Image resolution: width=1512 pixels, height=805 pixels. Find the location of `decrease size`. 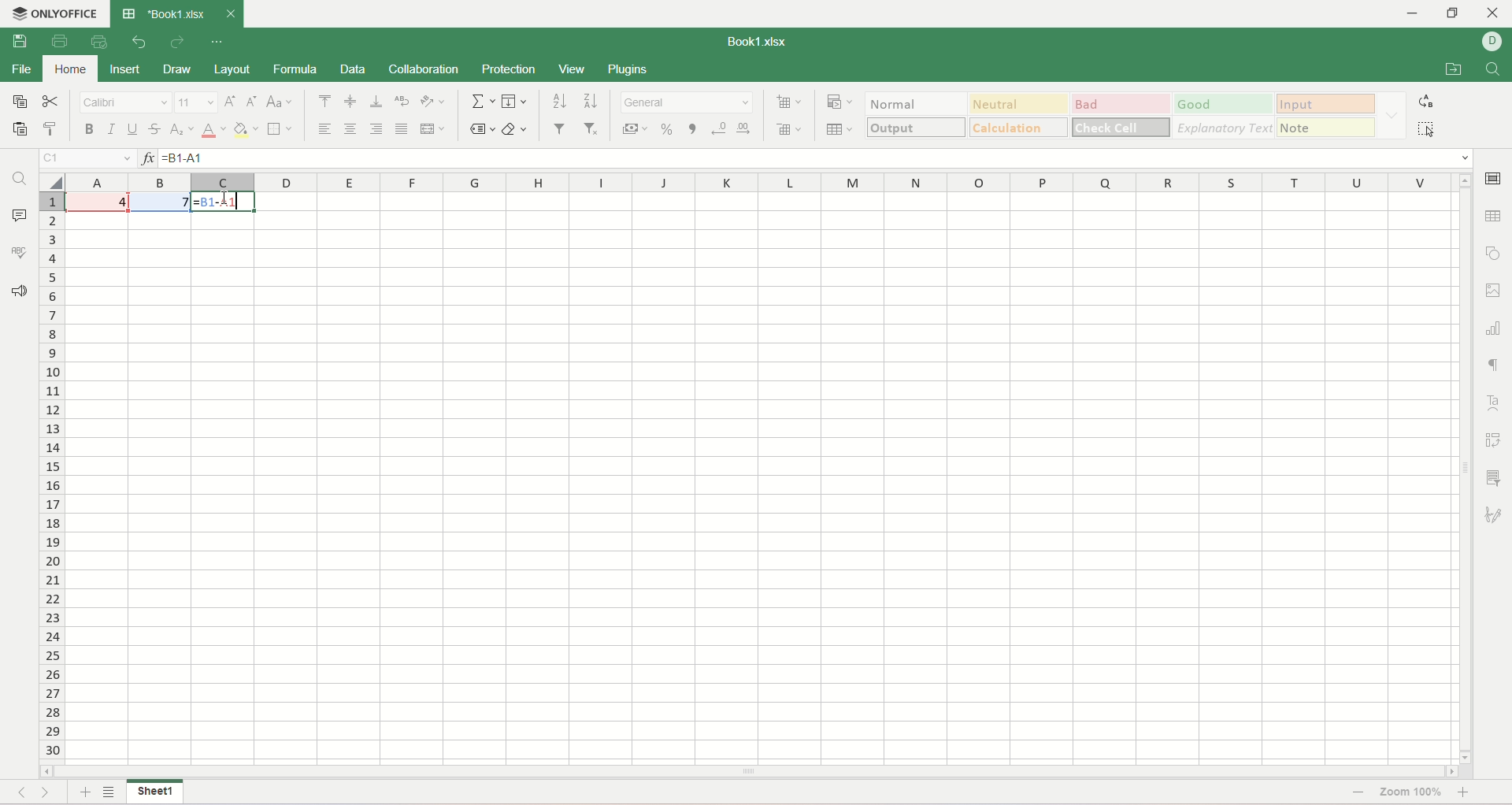

decrease size is located at coordinates (252, 101).